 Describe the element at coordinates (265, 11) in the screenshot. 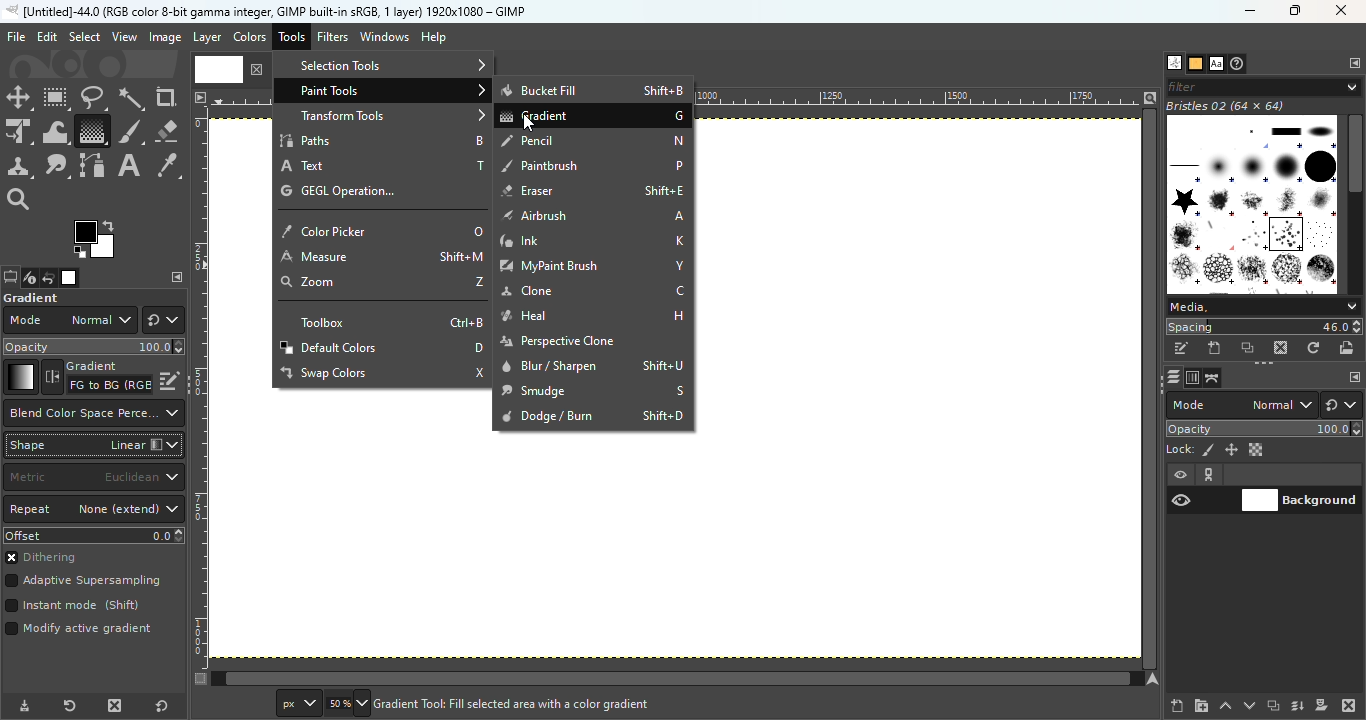

I see `untitled -36.0 (rgb color 8-bit gamma integer , gimp built in stgb, 1 layer) 1174x788 - gimp` at that location.